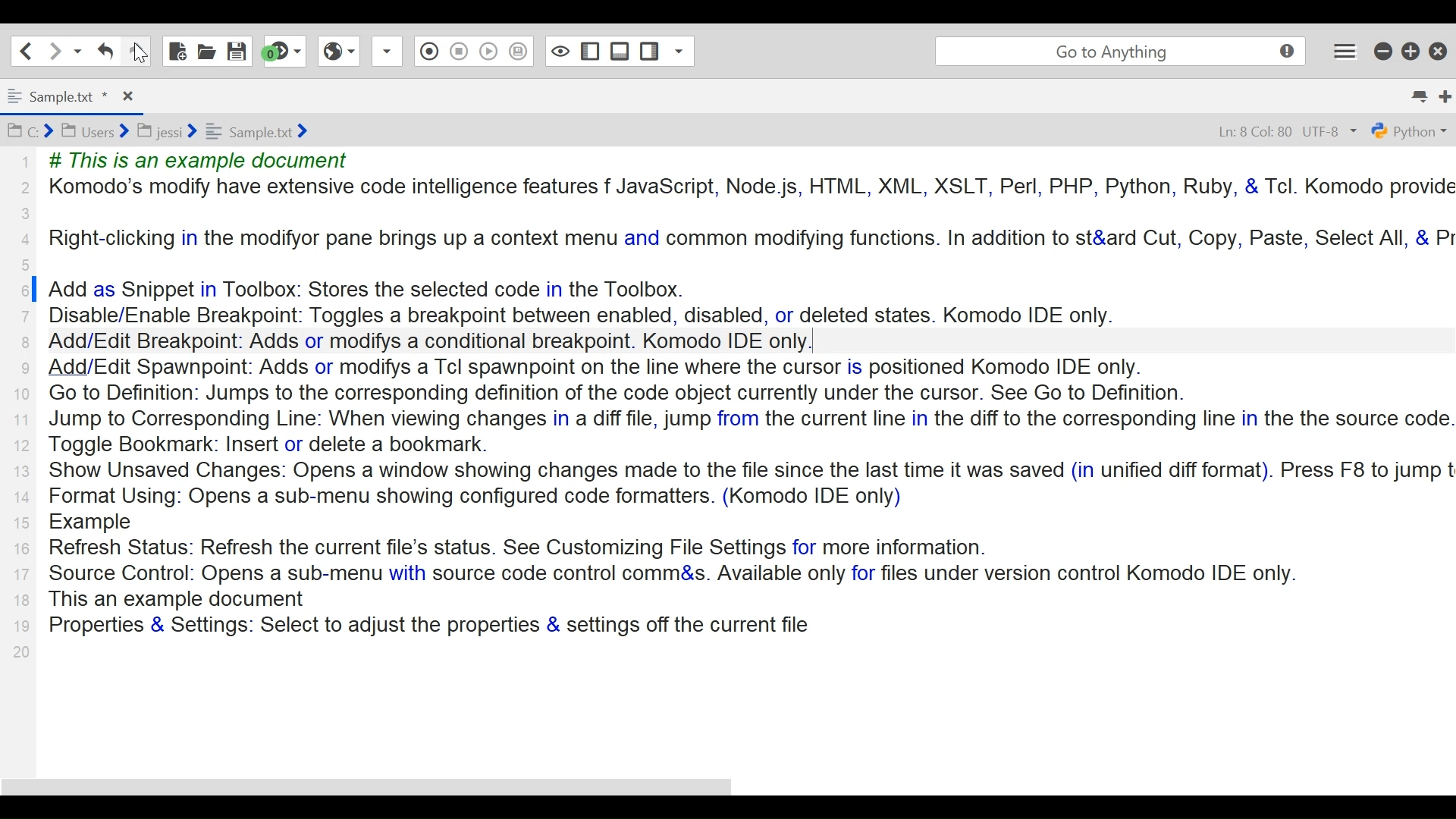 This screenshot has height=819, width=1456. What do you see at coordinates (1258, 131) in the screenshot?
I see `Line 6 Column 5` at bounding box center [1258, 131].